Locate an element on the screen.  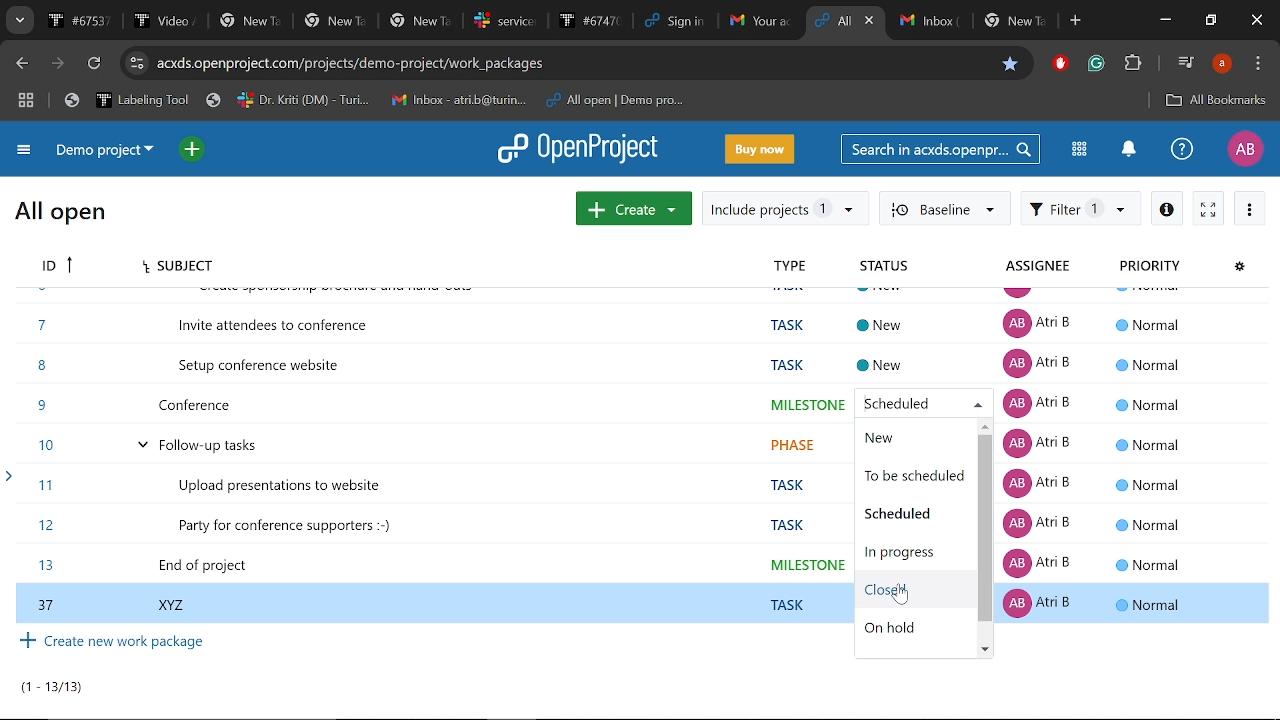
close curretn tab is located at coordinates (872, 21).